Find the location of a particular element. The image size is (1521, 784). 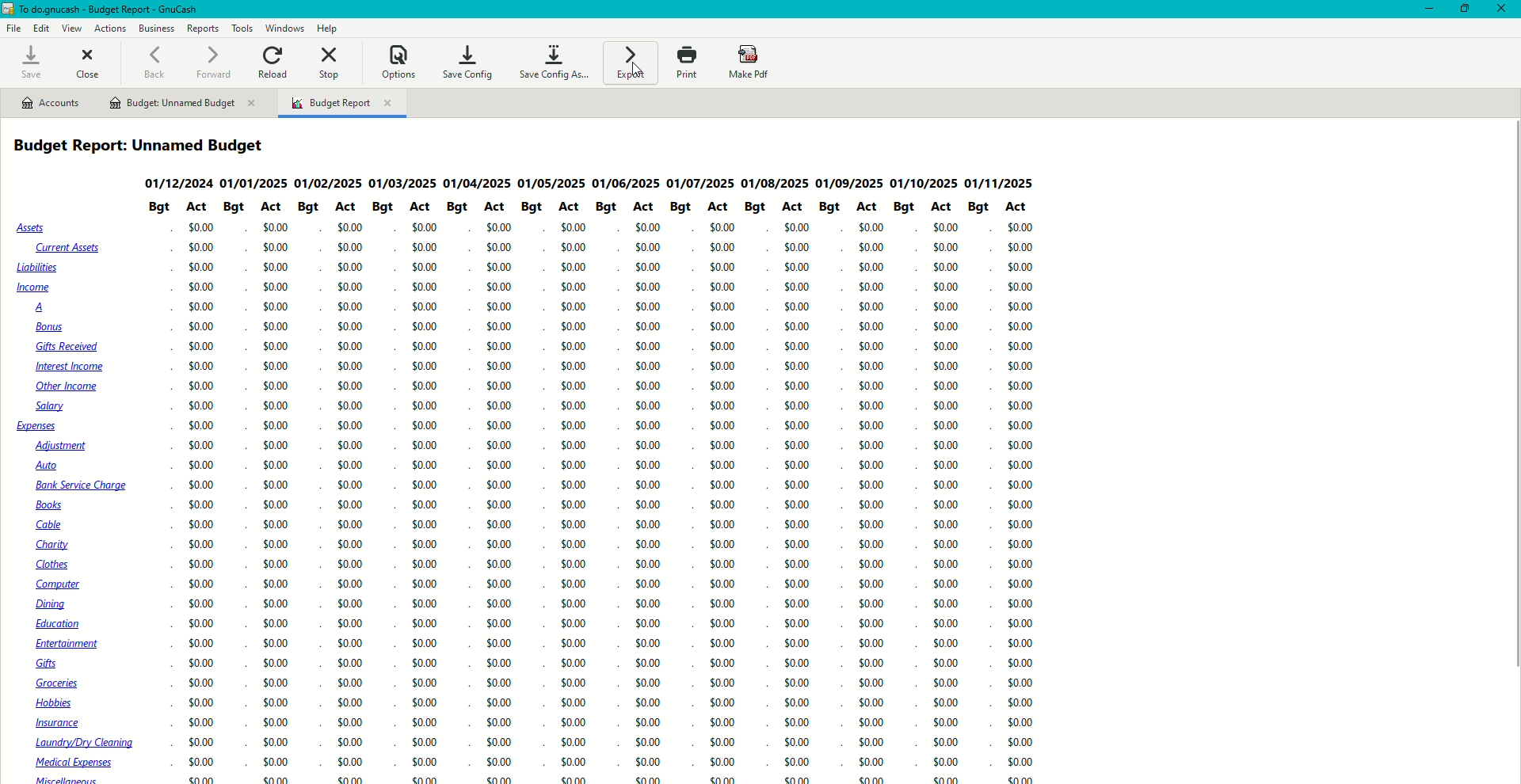

0.00 is located at coordinates (347, 227).